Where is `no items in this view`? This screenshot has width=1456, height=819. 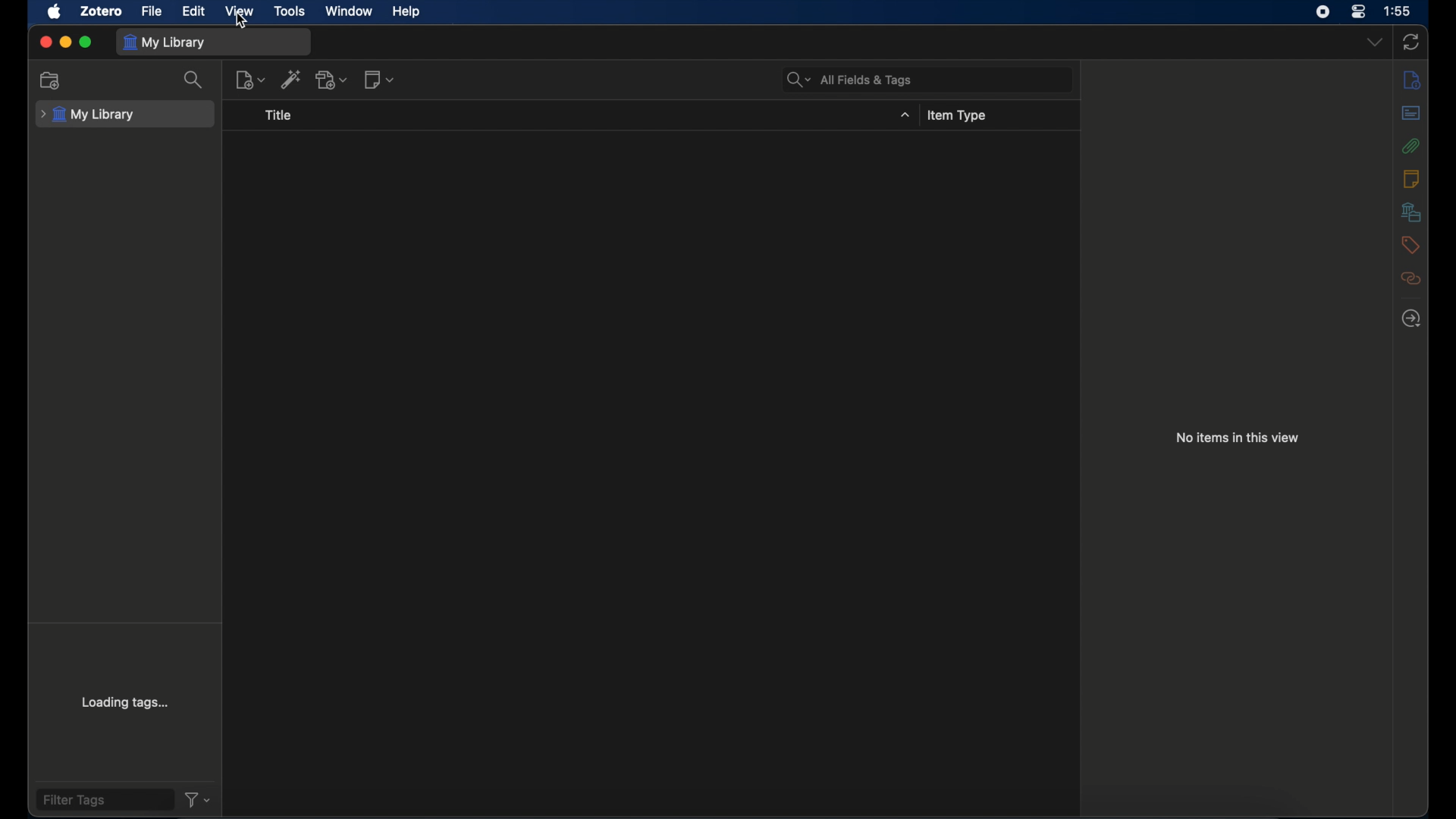
no items in this view is located at coordinates (1237, 438).